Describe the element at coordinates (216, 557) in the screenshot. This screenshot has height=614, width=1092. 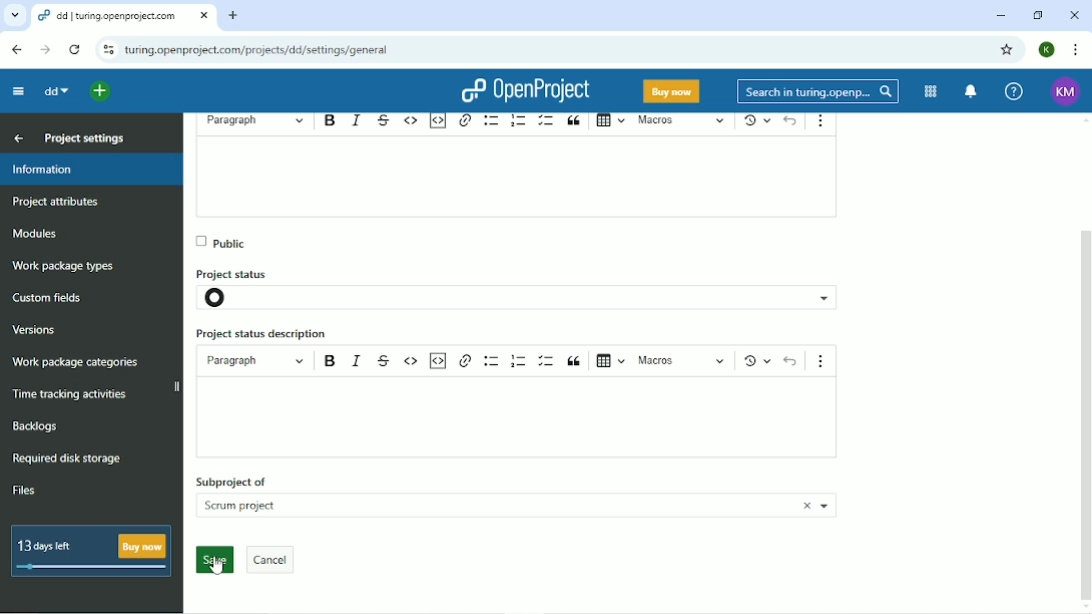
I see `save` at that location.